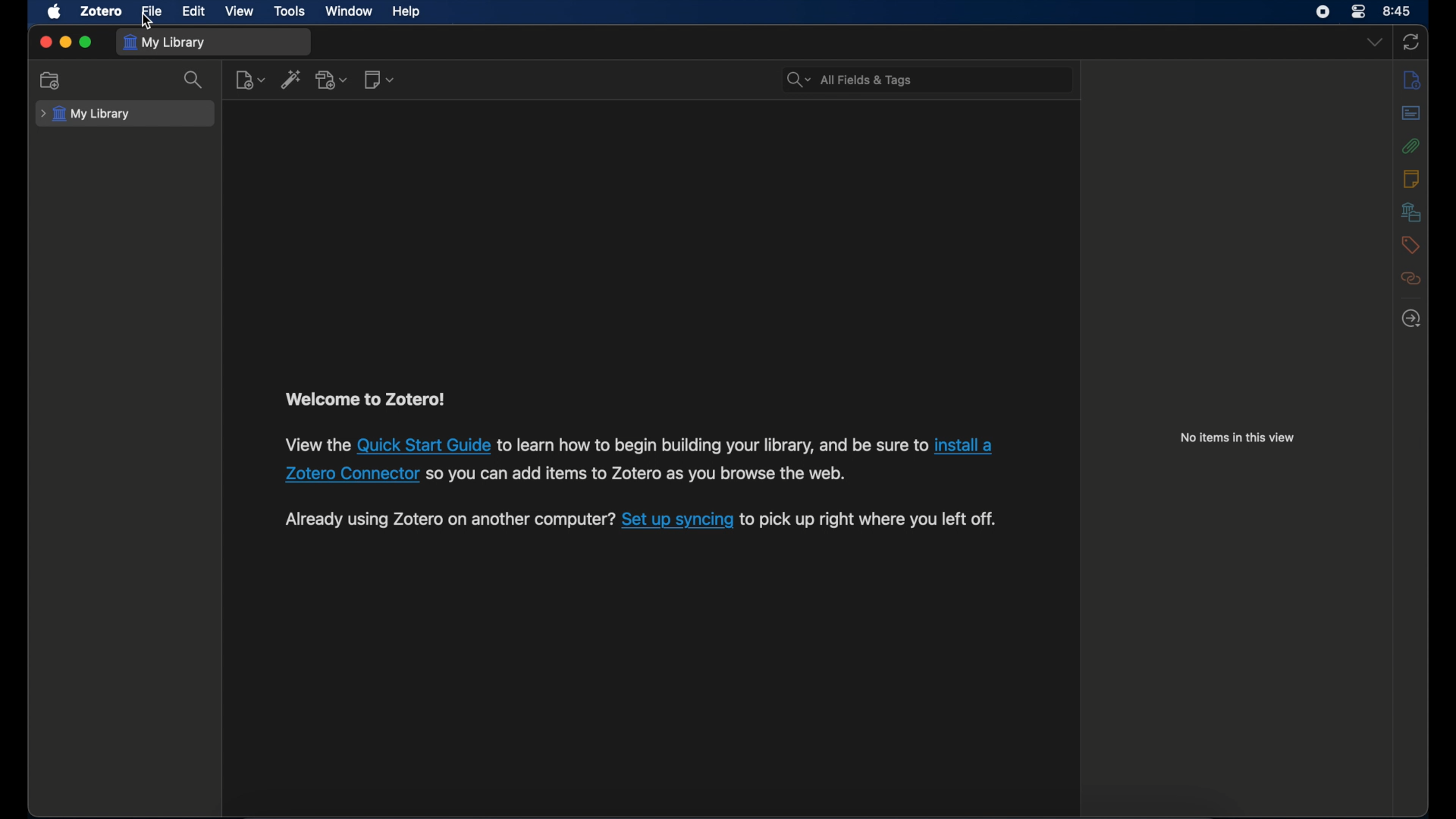  I want to click on cursor on File, so click(149, 24).